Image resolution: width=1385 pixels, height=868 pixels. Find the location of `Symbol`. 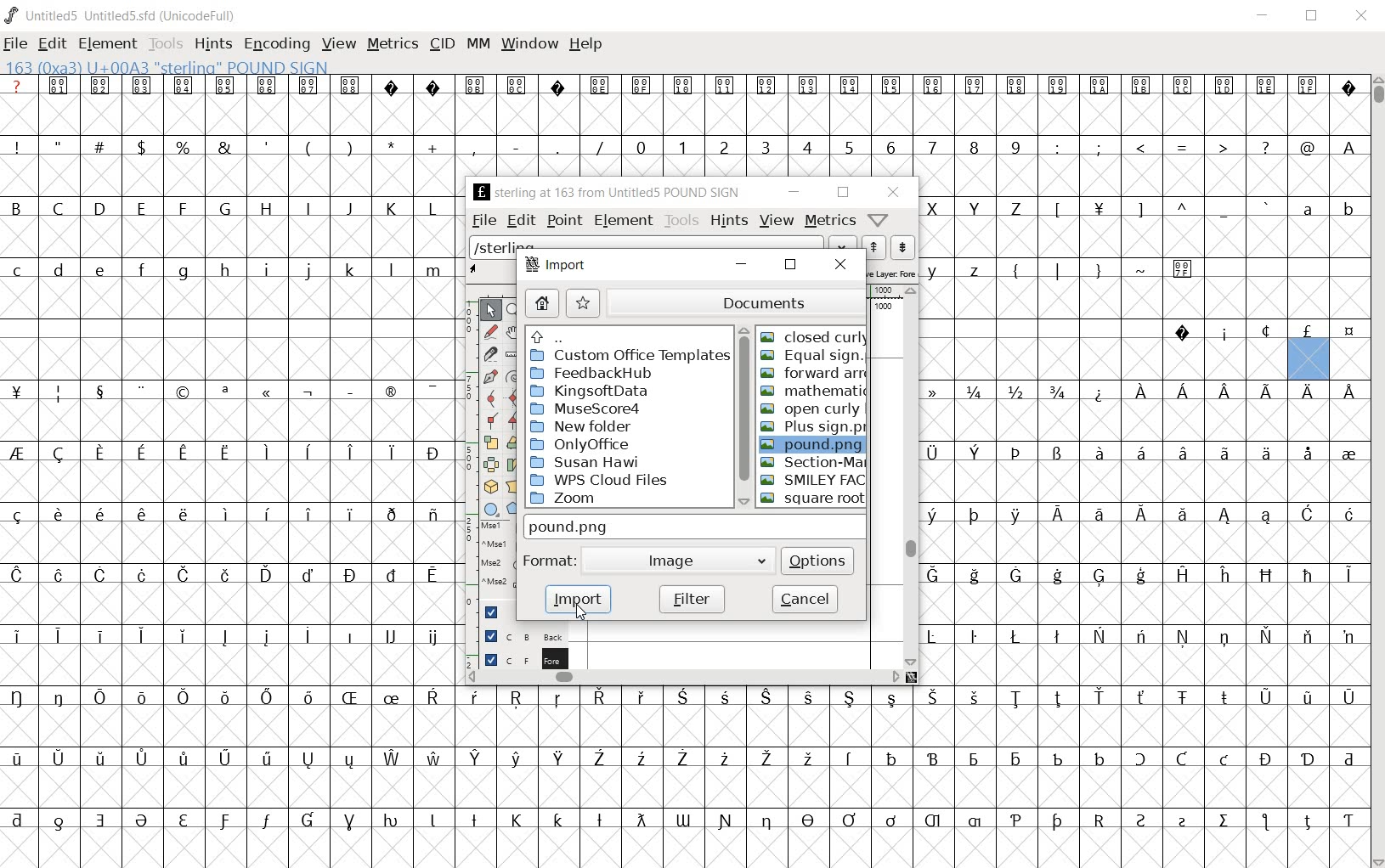

Symbol is located at coordinates (225, 759).